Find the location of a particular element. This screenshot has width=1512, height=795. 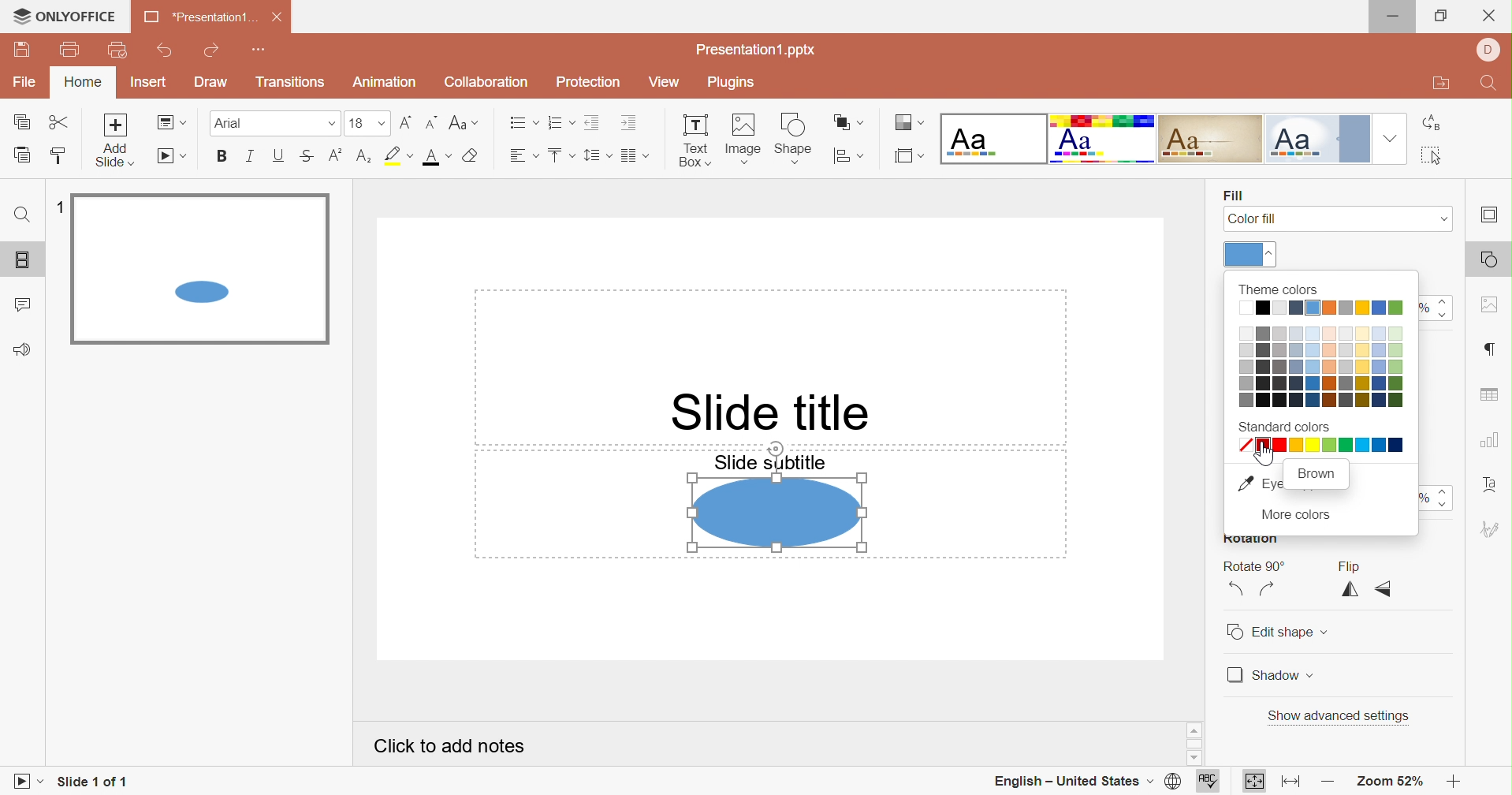

Image settings is located at coordinates (1492, 305).